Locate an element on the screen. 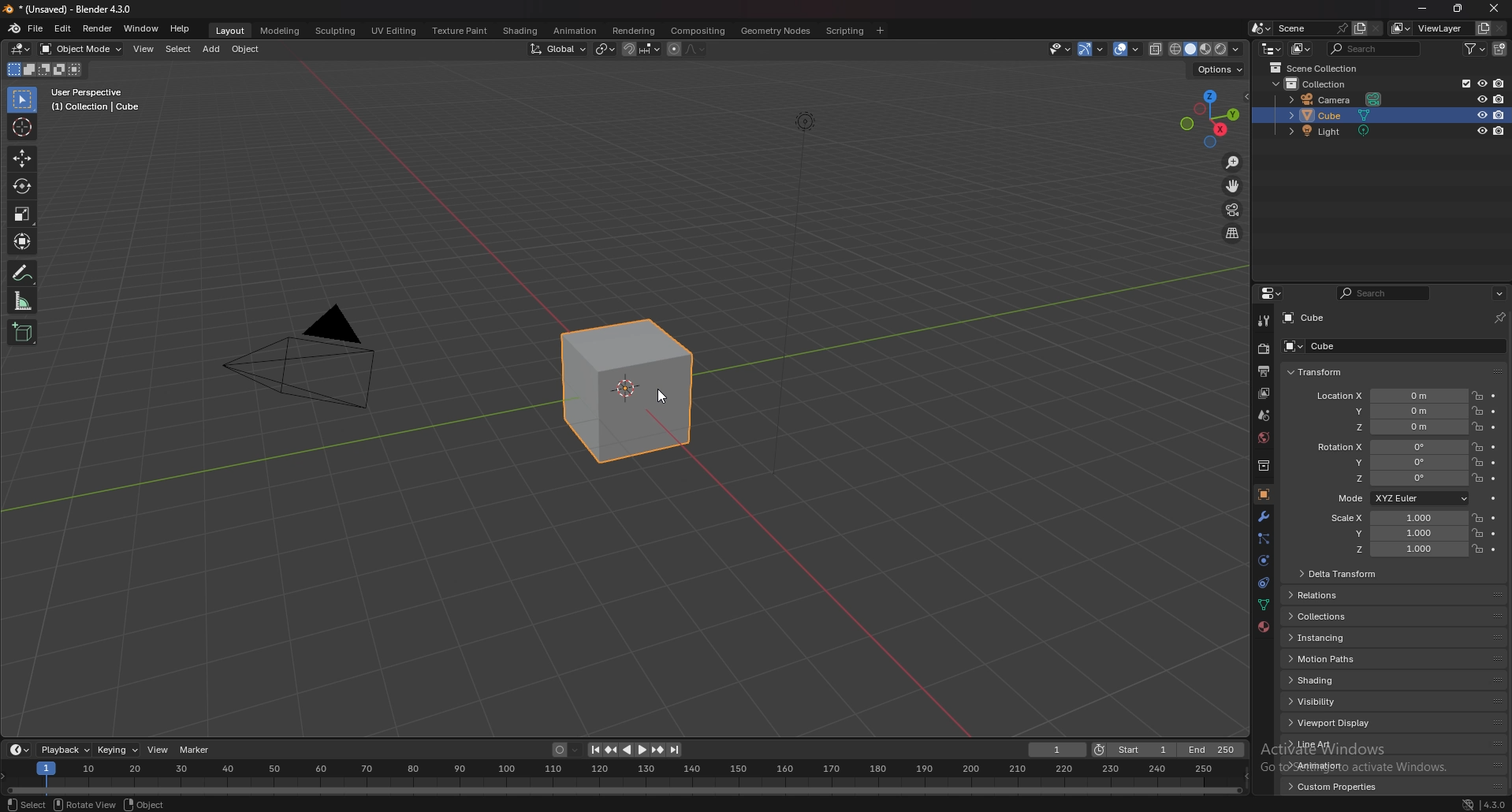  line art is located at coordinates (1341, 743).